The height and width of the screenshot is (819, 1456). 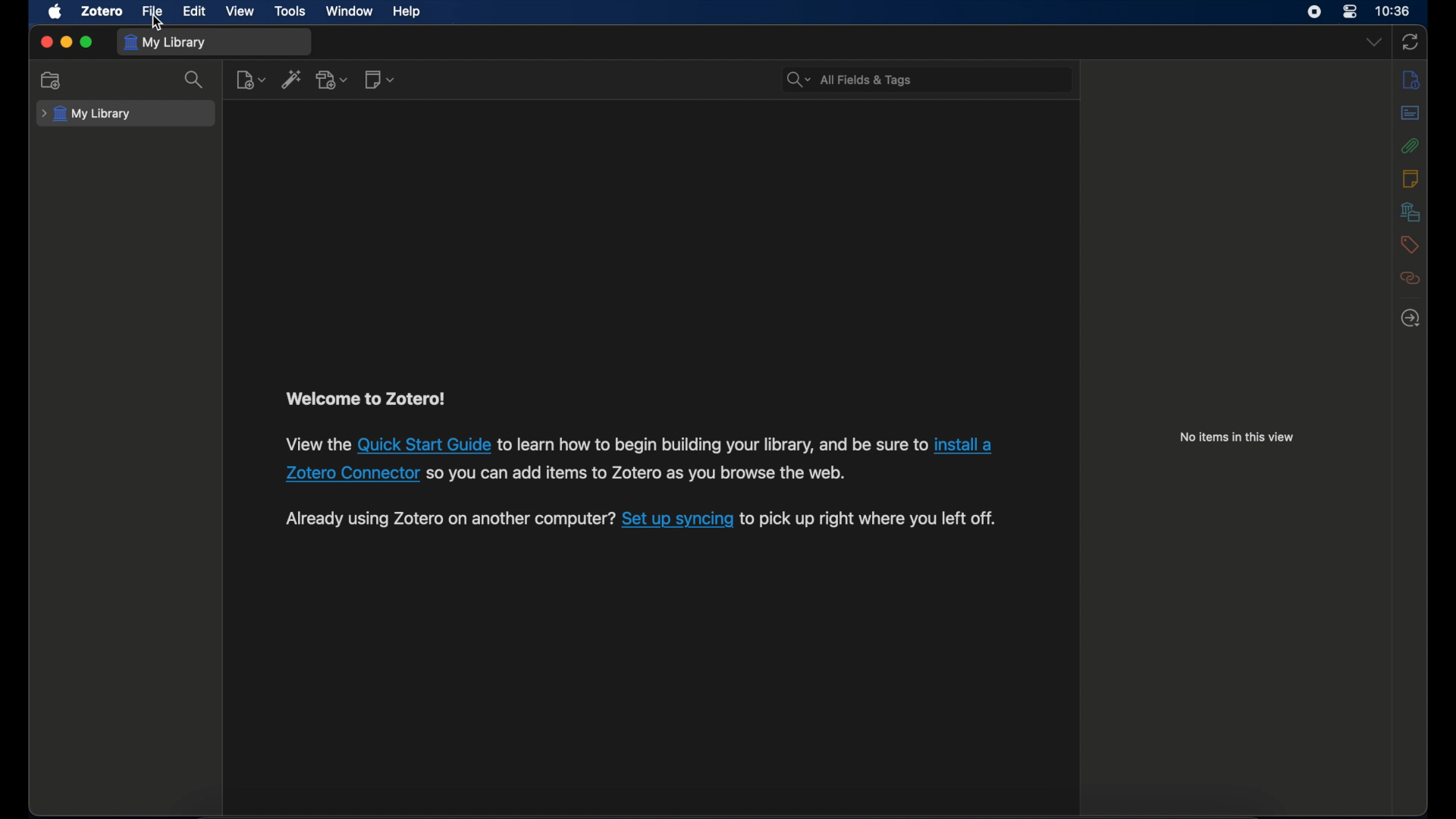 I want to click on Already using Zotero on another computer? Set up syncing to pick up right where you left off., so click(x=635, y=521).